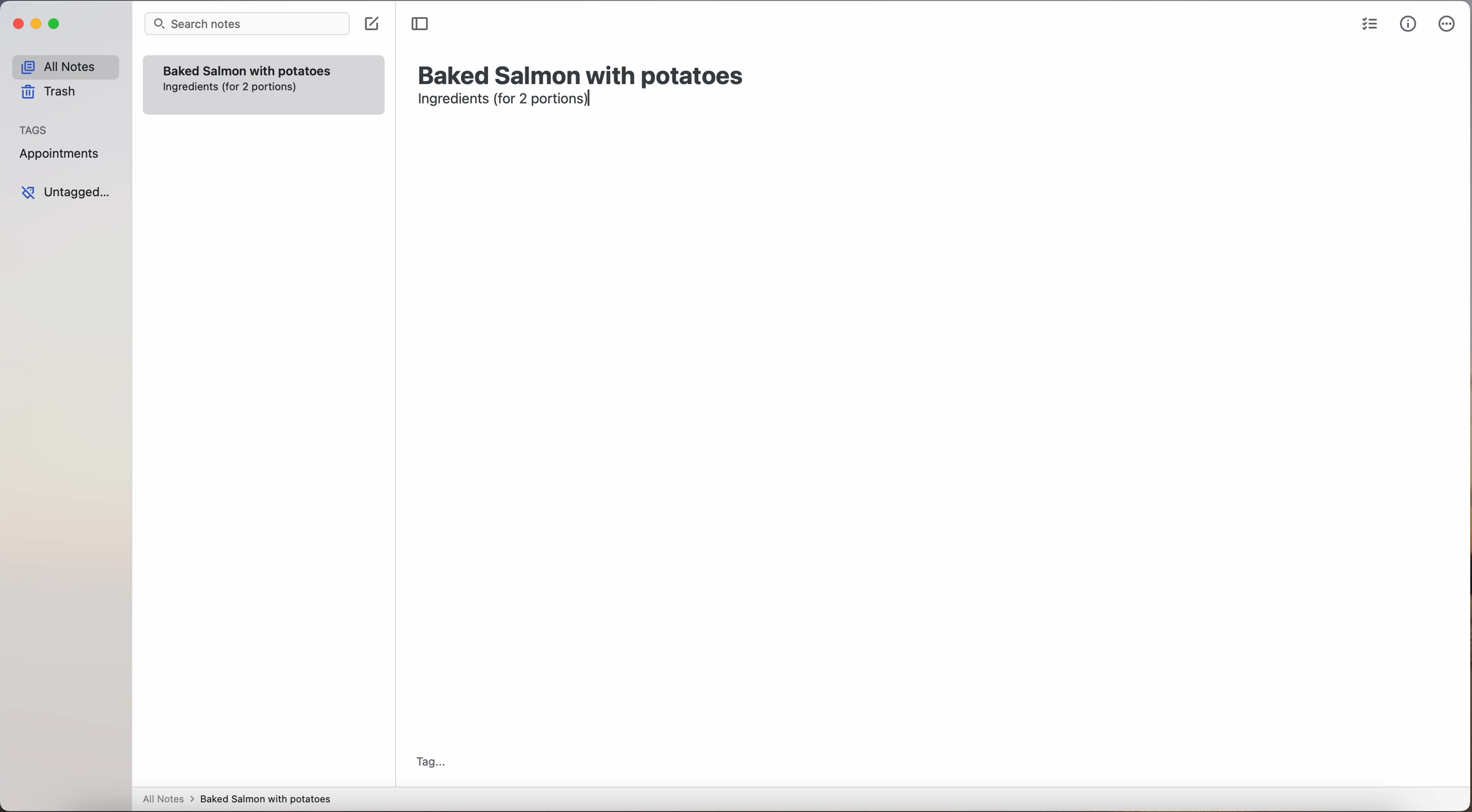 Image resolution: width=1472 pixels, height=812 pixels. I want to click on title, so click(583, 74).